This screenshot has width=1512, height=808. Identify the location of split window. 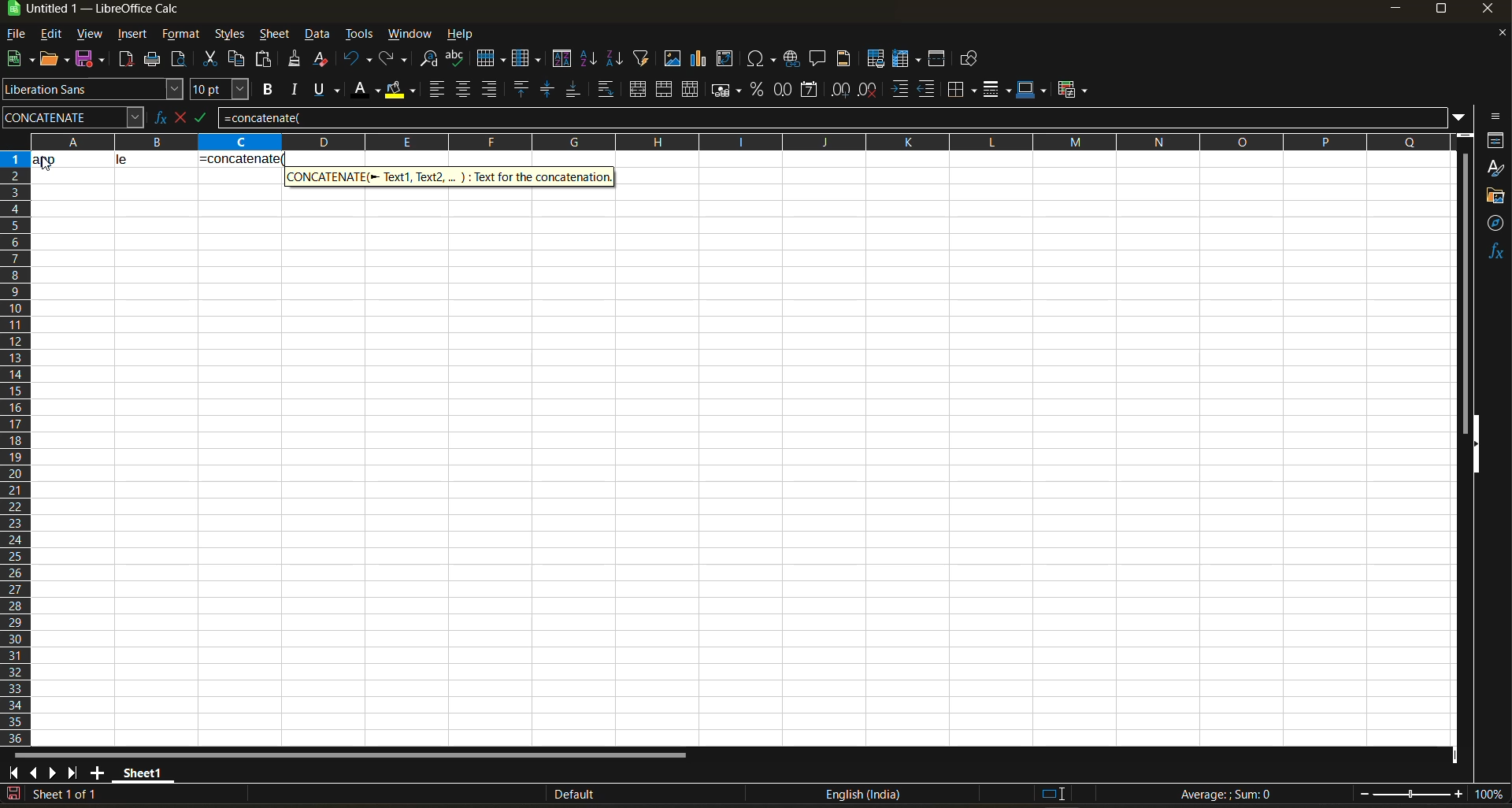
(939, 60).